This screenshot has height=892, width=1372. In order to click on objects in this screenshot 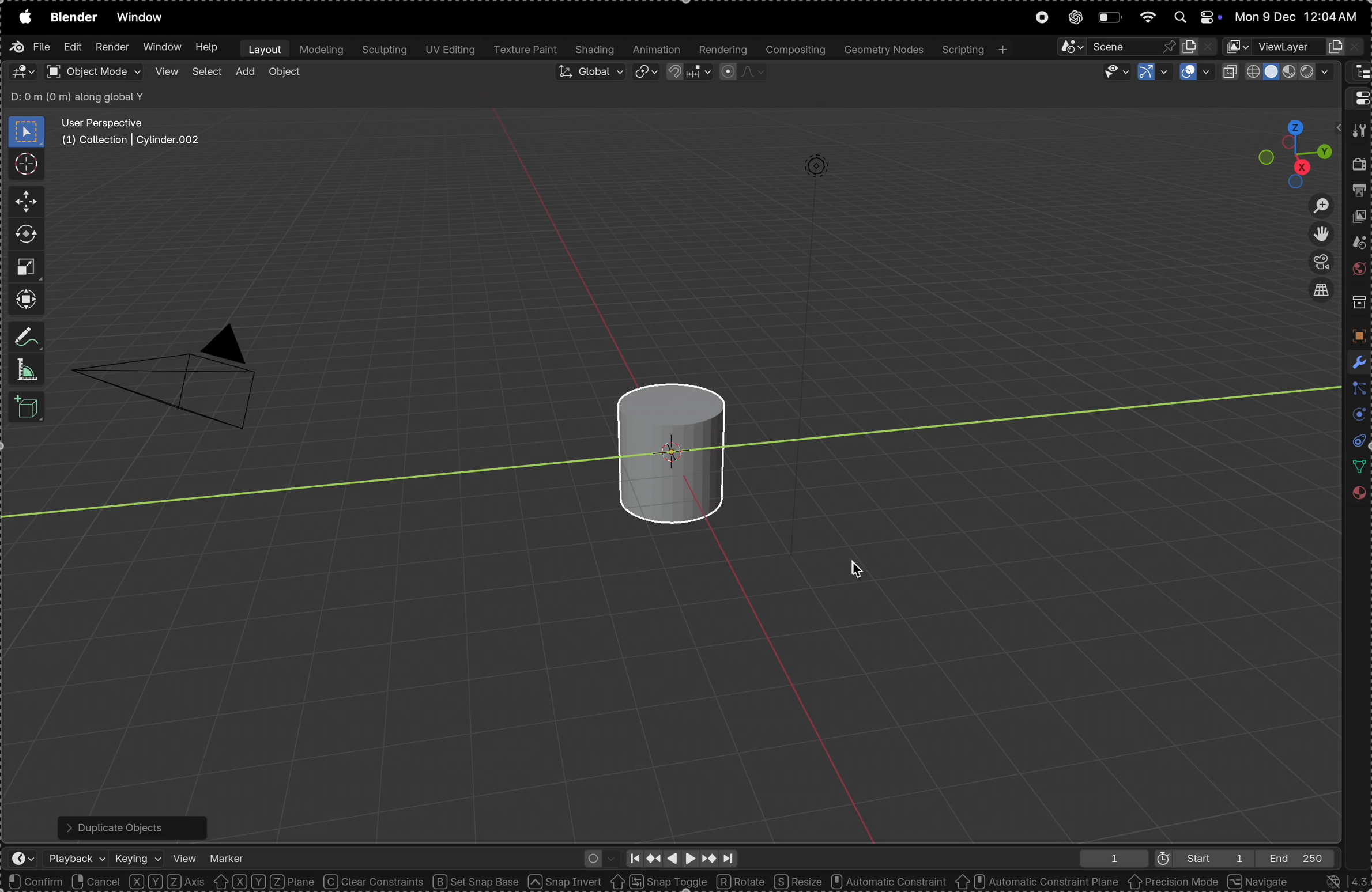, I will do `click(1356, 335)`.